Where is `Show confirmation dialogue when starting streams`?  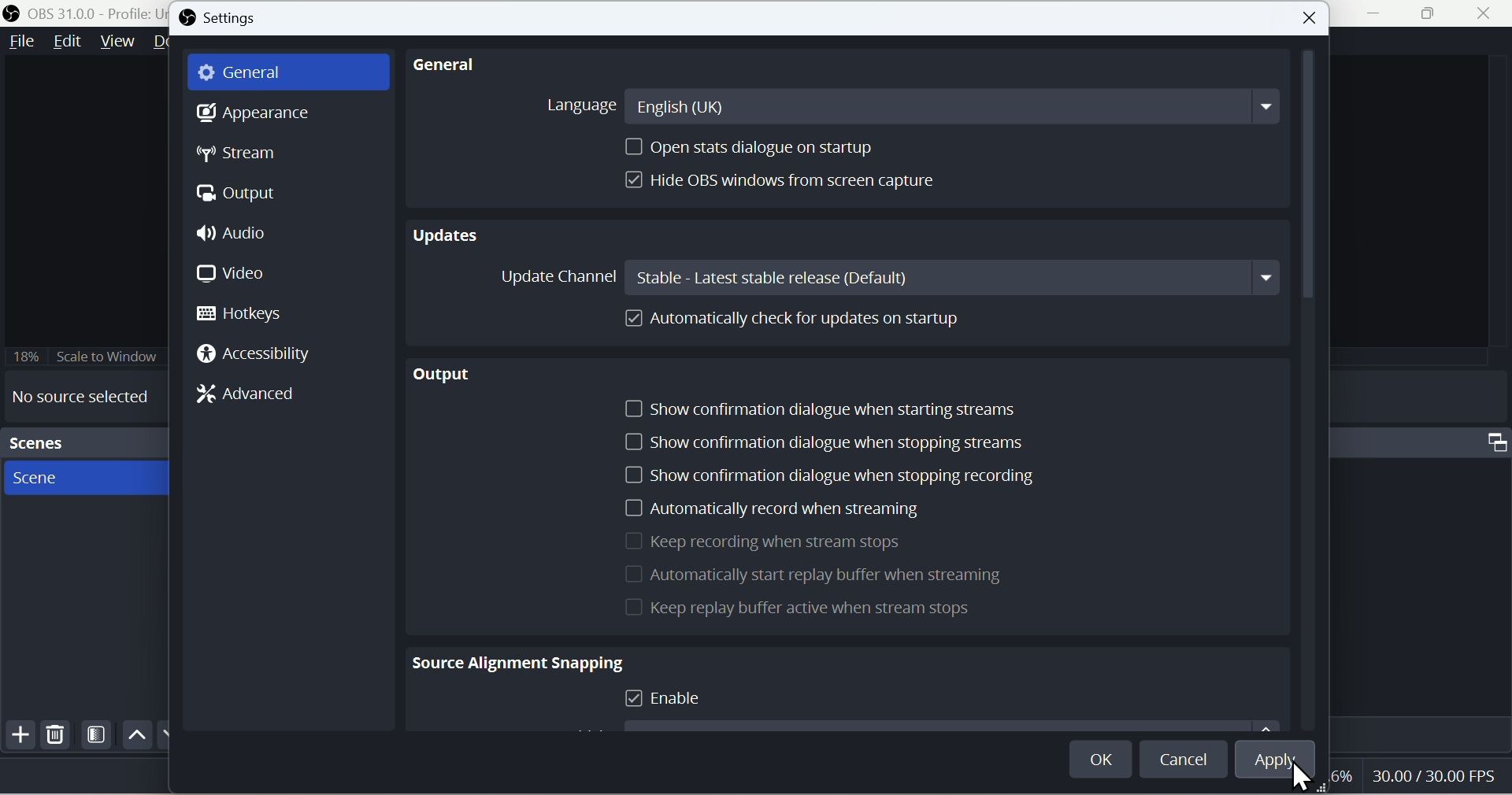 Show confirmation dialogue when starting streams is located at coordinates (831, 409).